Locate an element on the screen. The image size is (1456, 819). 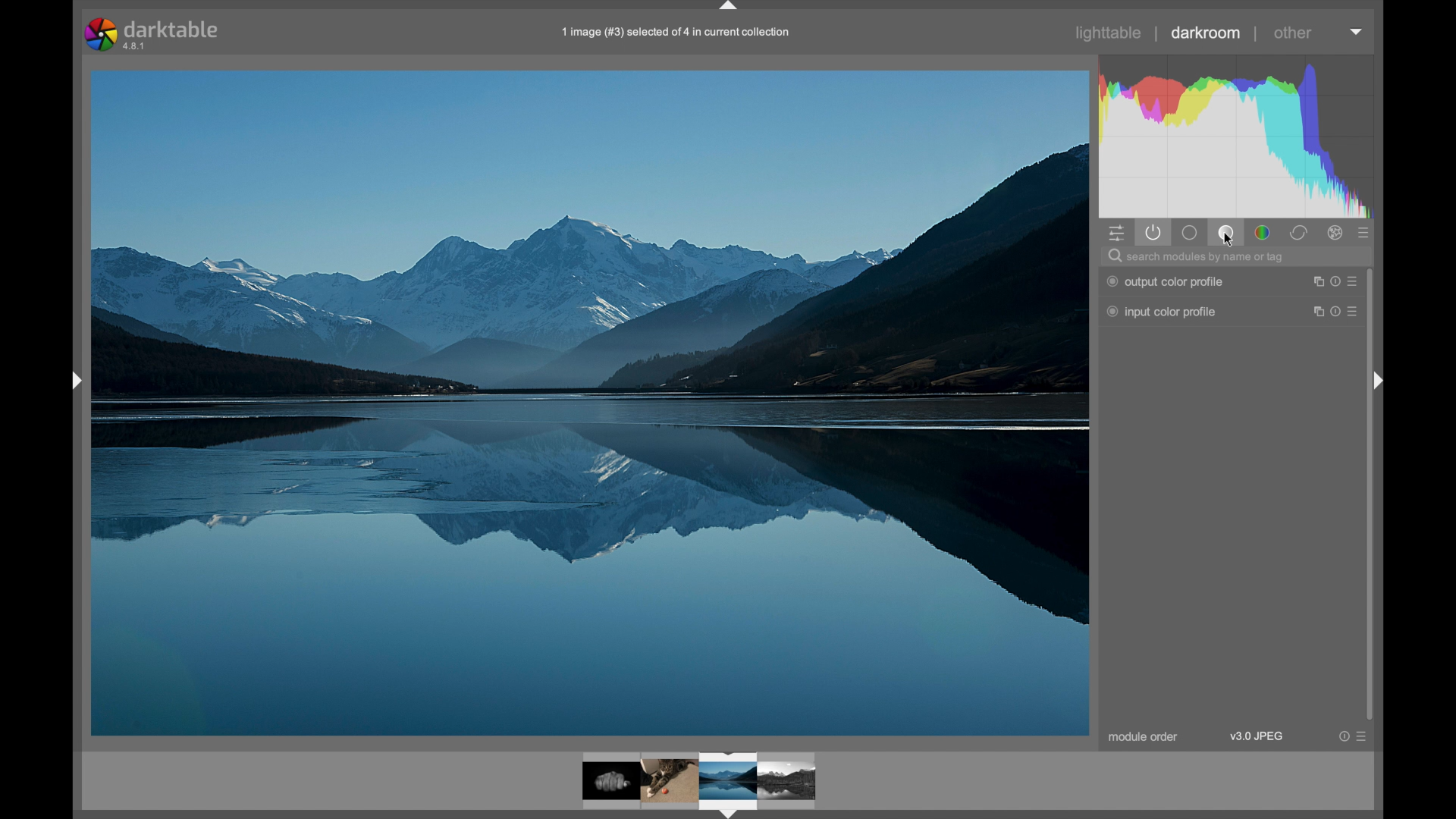
filename is located at coordinates (675, 33).